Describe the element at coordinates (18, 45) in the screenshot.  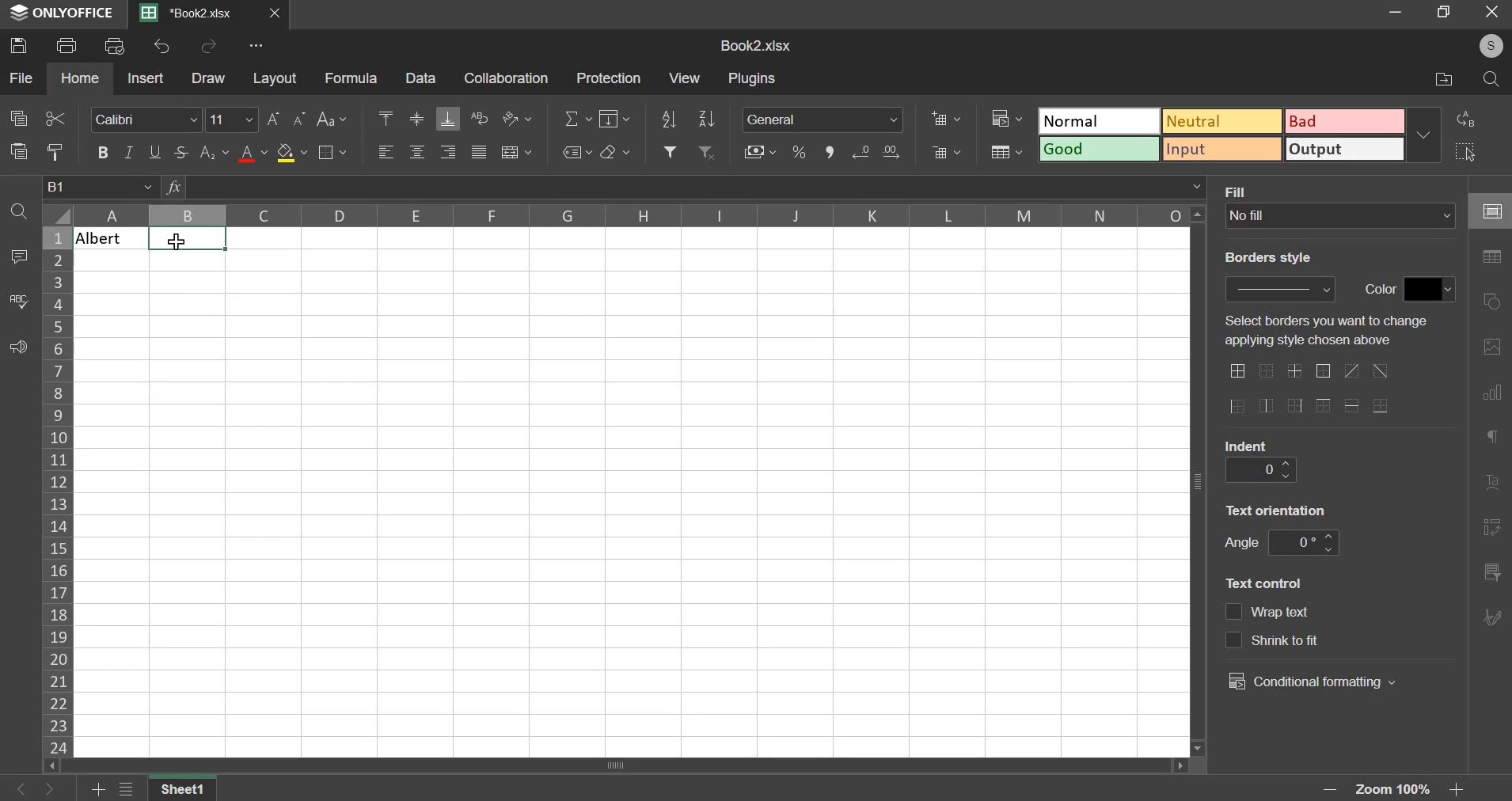
I see `save` at that location.